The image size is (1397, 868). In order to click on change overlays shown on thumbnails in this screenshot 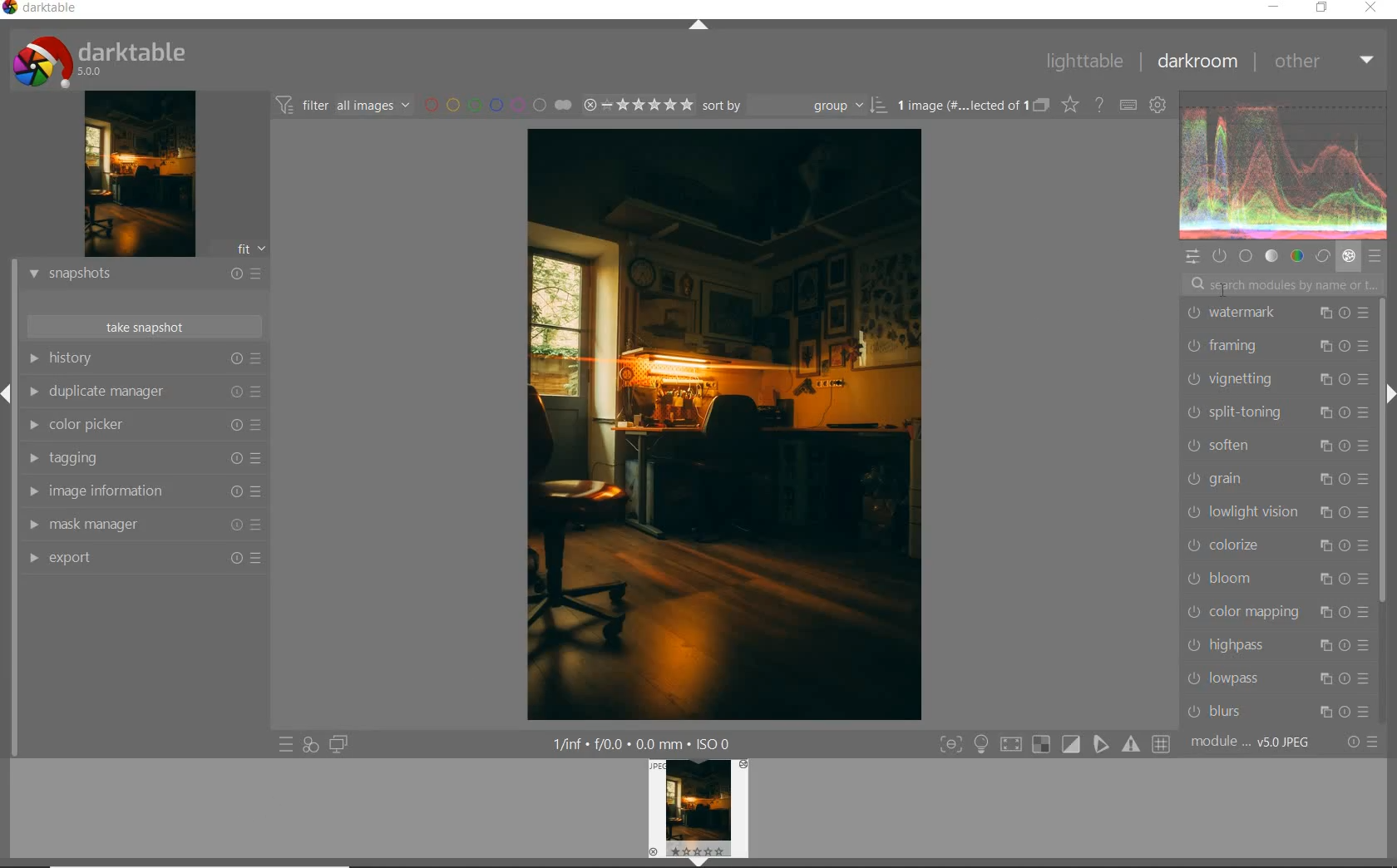, I will do `click(1069, 106)`.